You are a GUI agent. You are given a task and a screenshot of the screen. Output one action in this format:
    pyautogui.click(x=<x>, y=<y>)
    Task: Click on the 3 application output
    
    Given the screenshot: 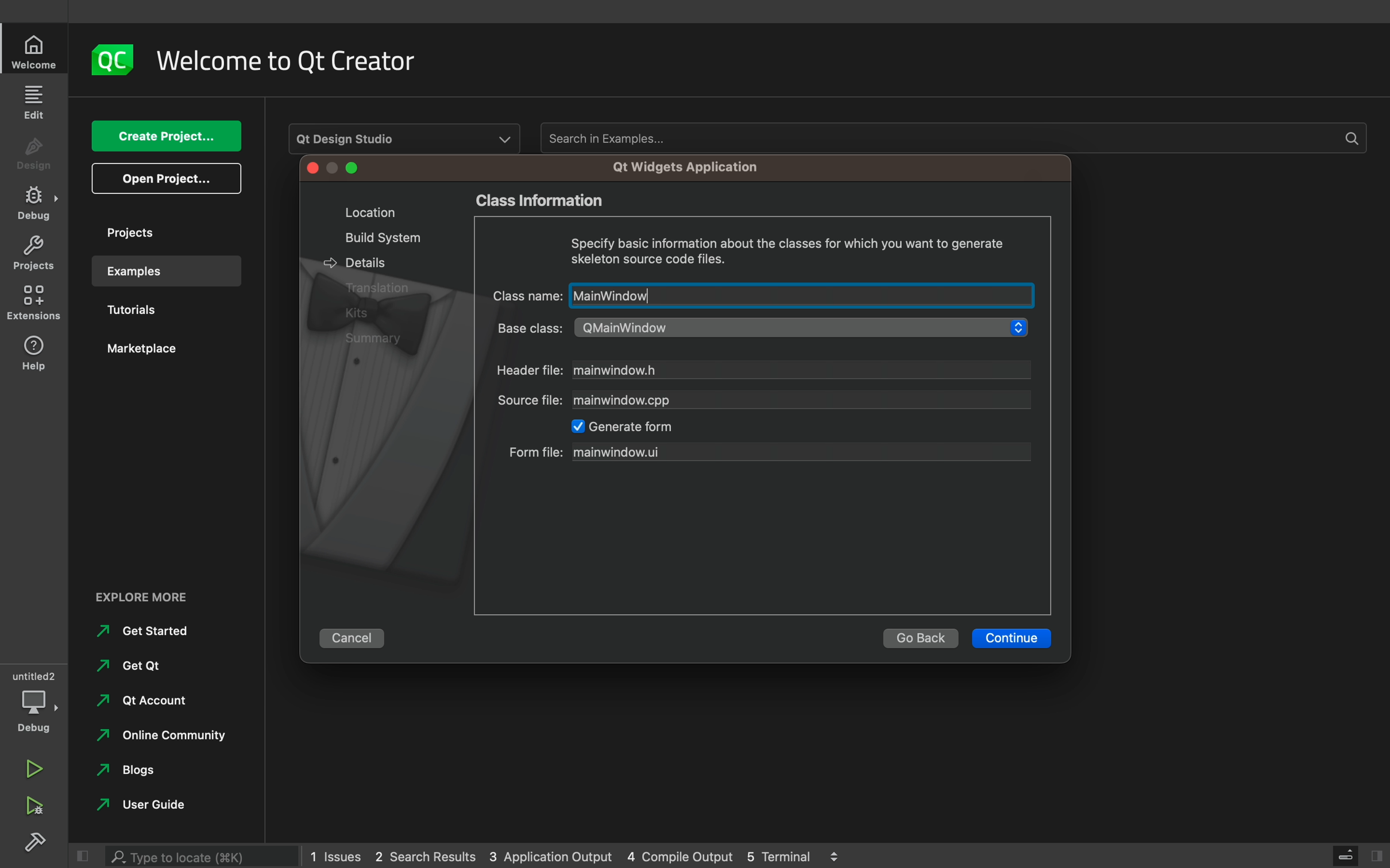 What is the action you would take?
    pyautogui.click(x=550, y=857)
    